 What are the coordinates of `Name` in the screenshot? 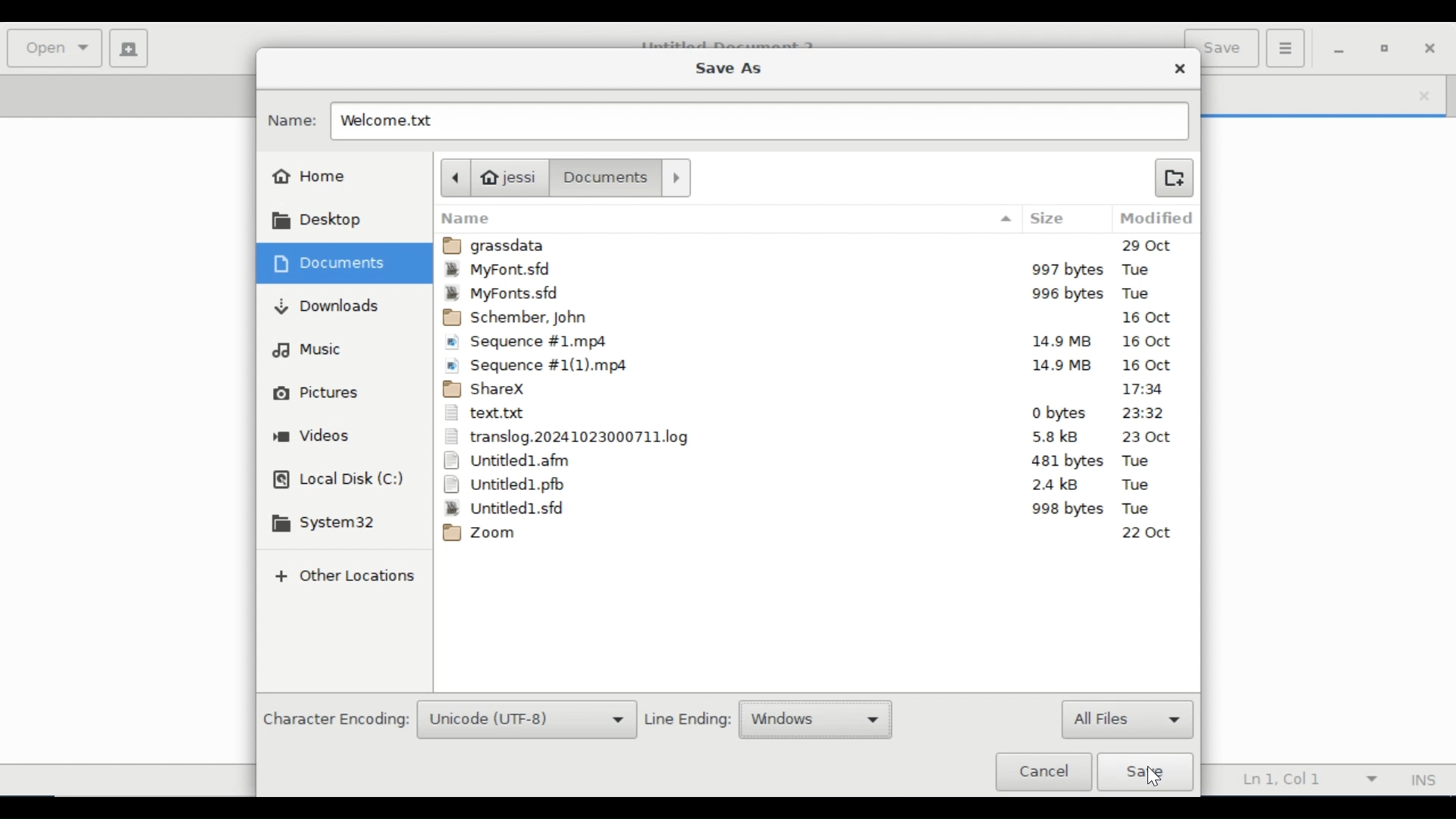 It's located at (292, 121).